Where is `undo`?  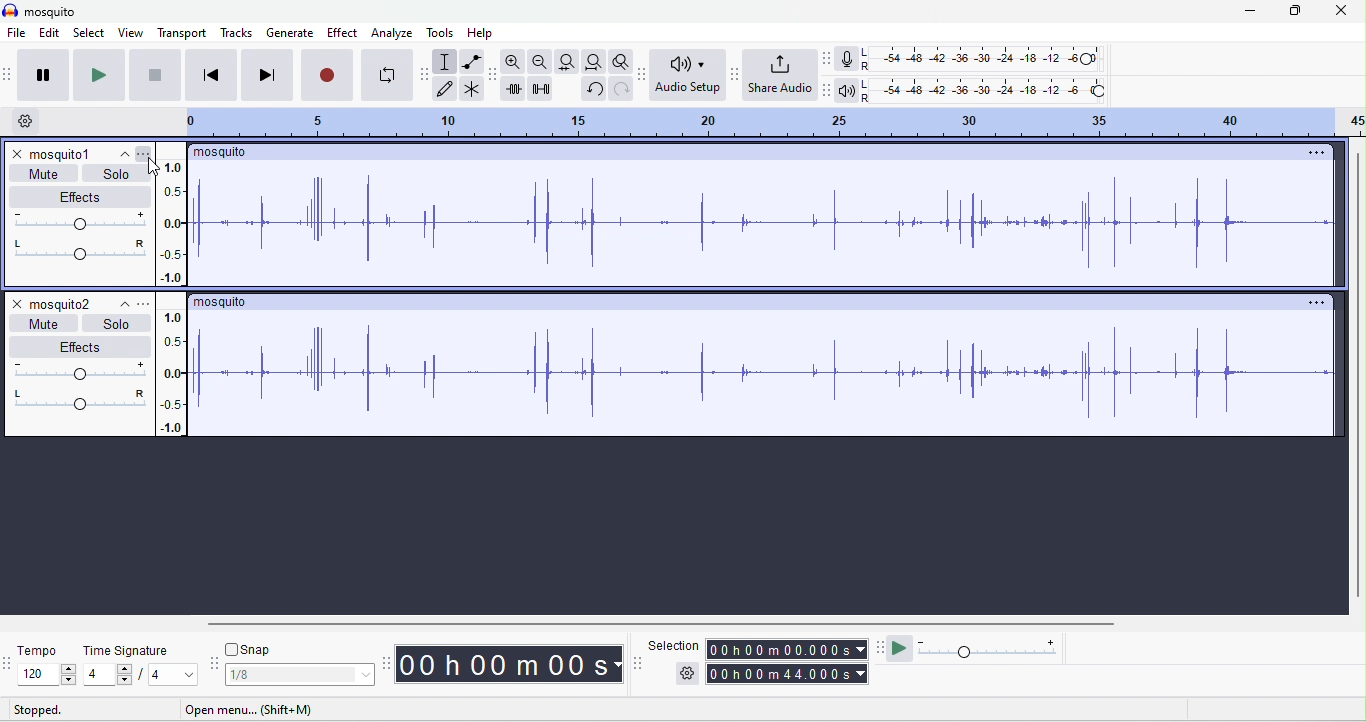
undo is located at coordinates (596, 90).